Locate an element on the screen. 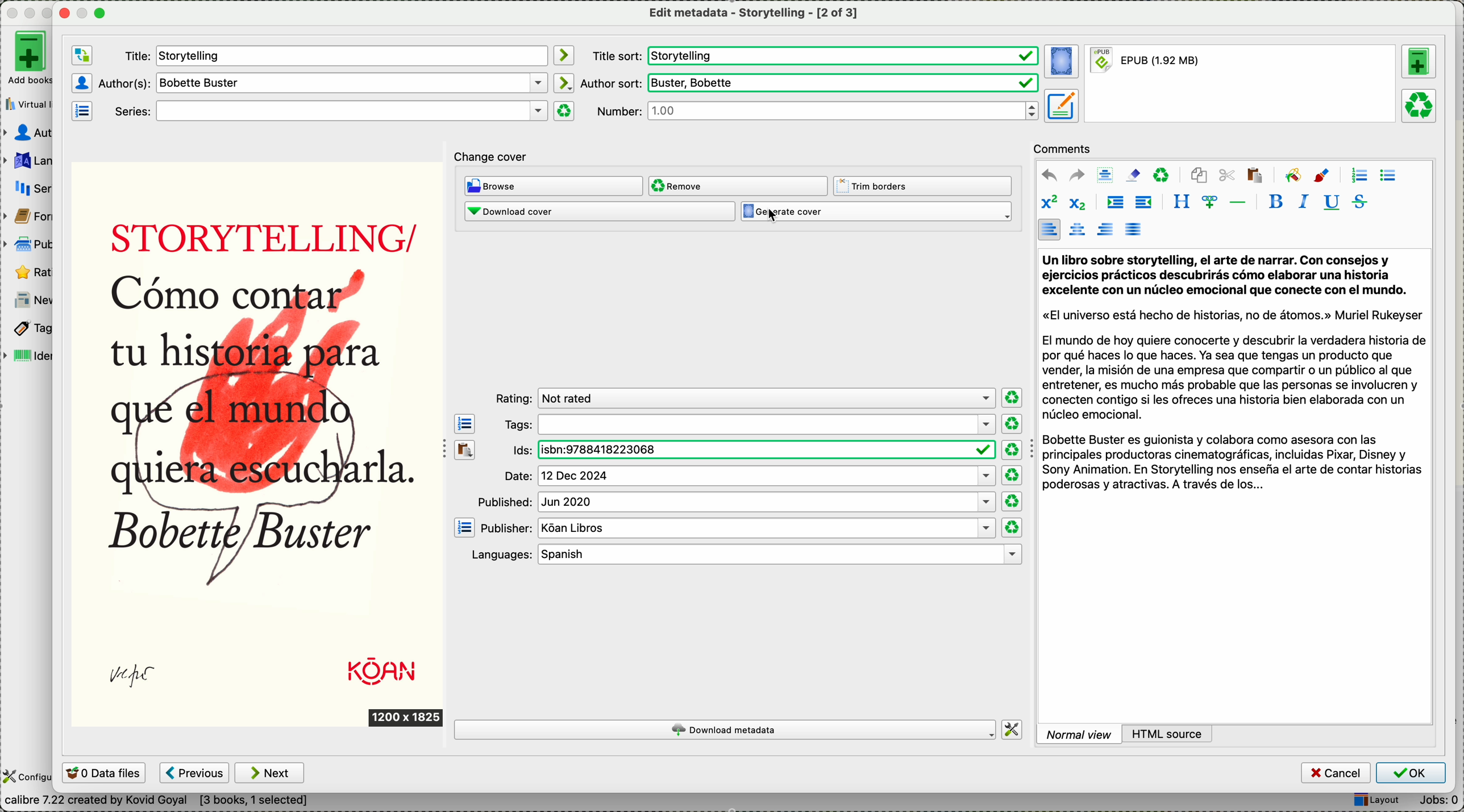 The image size is (1464, 812). data files is located at coordinates (105, 773).